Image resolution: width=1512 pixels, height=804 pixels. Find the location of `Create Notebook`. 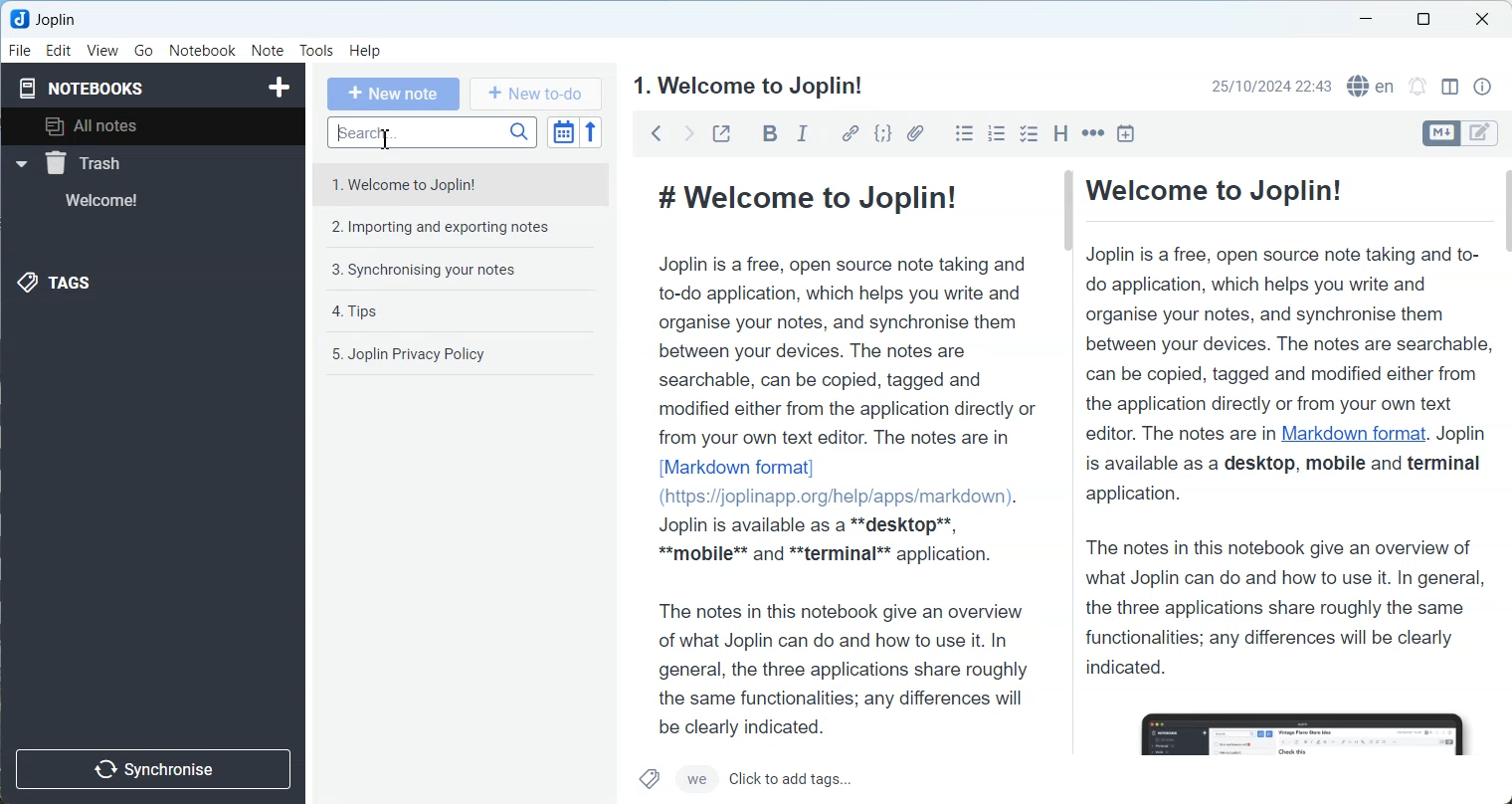

Create Notebook is located at coordinates (277, 88).